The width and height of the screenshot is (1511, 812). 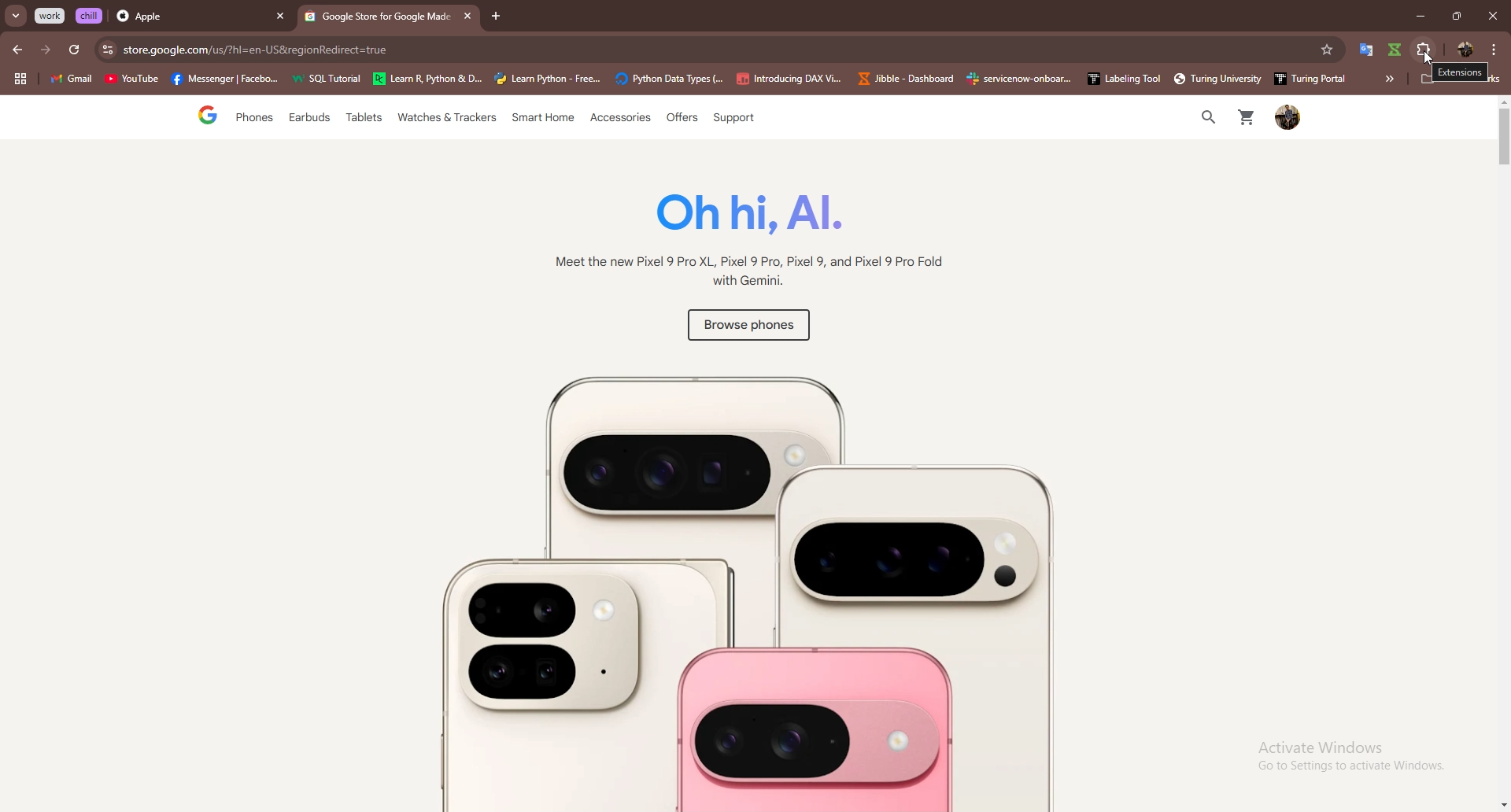 I want to click on close tab, so click(x=280, y=17).